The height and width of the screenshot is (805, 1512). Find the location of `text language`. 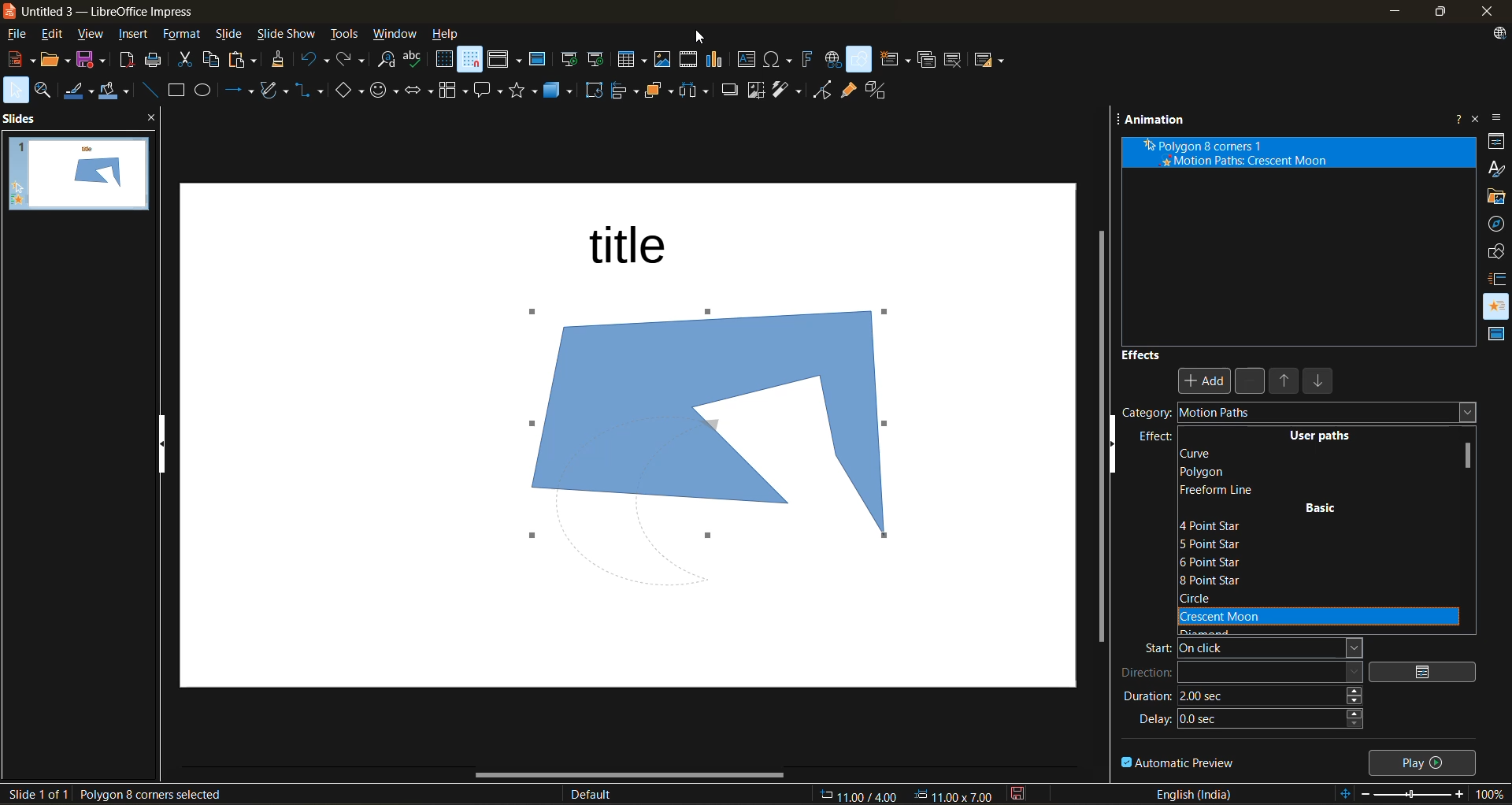

text language is located at coordinates (1203, 793).